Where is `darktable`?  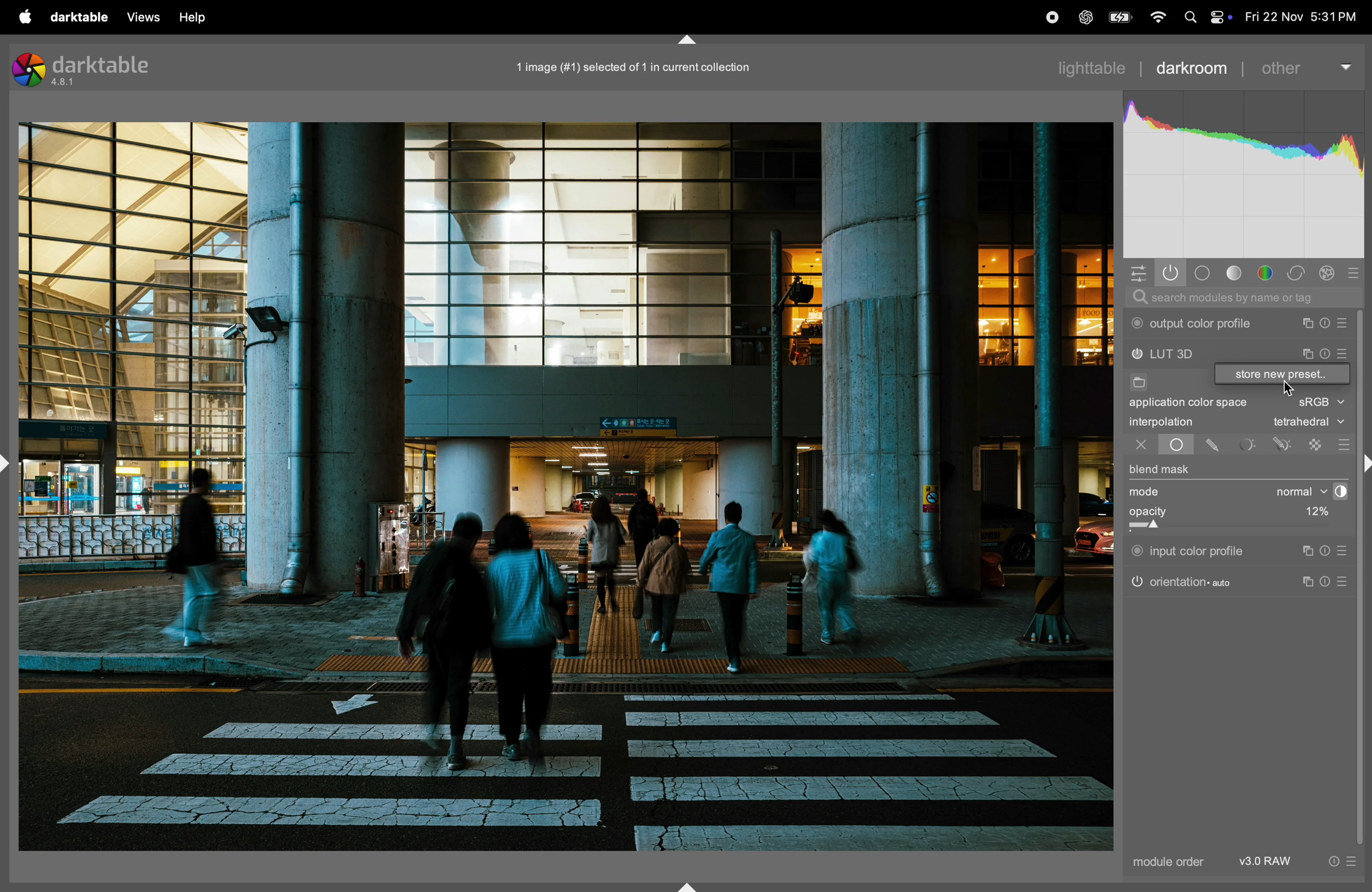 darktable is located at coordinates (75, 16).